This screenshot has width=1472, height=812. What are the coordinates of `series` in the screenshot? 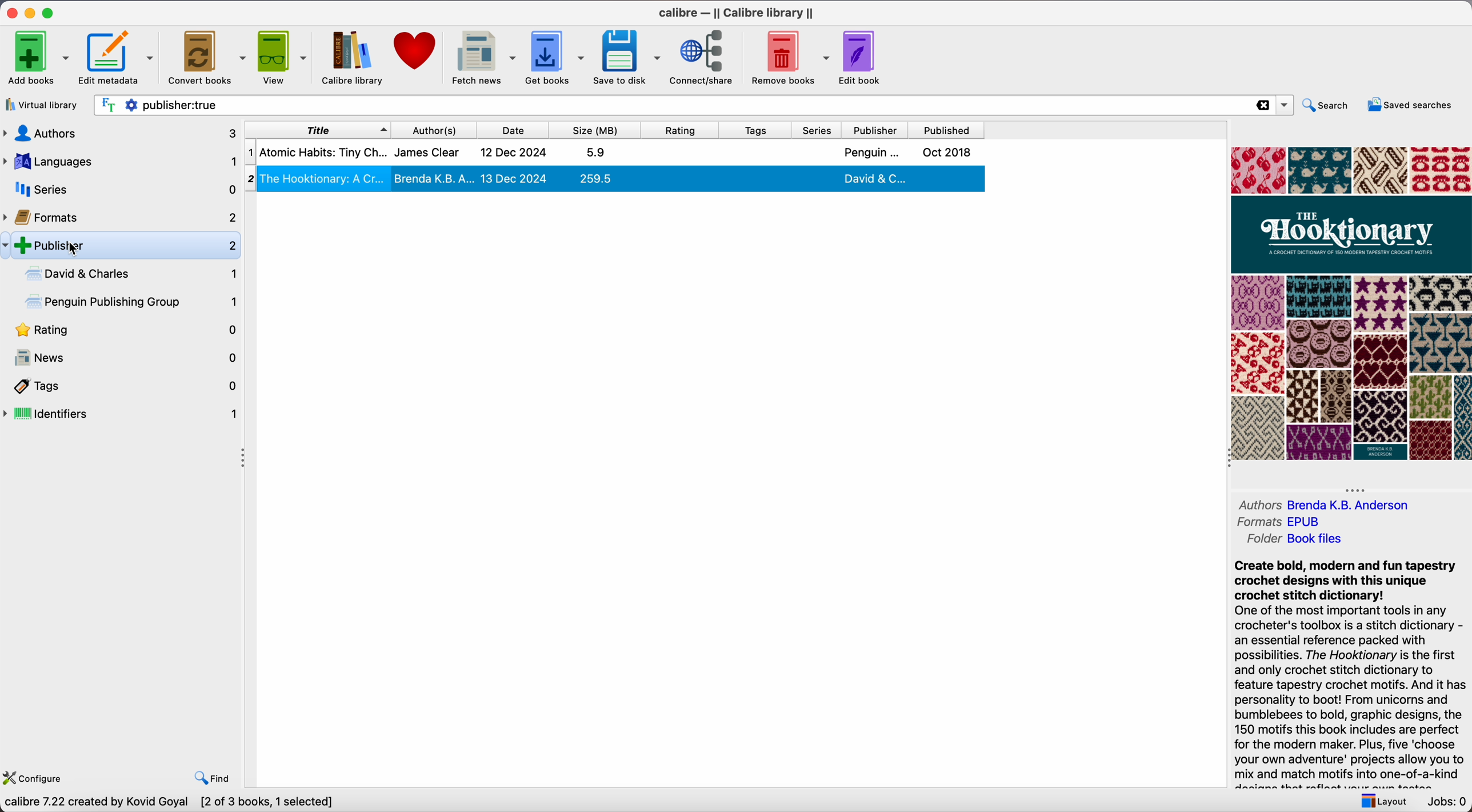 It's located at (819, 130).